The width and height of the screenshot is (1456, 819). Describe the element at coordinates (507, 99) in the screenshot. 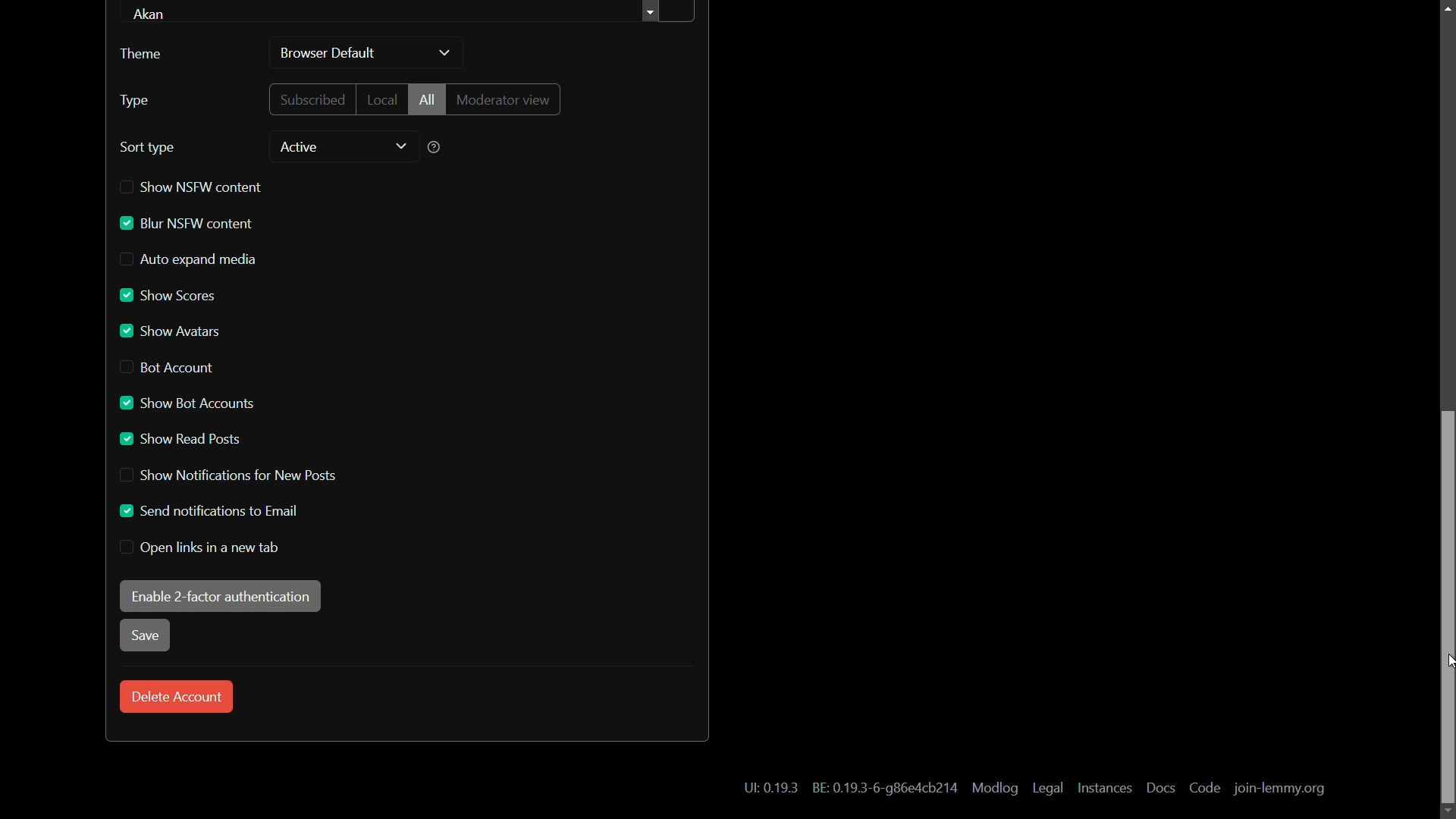

I see `moderator view` at that location.